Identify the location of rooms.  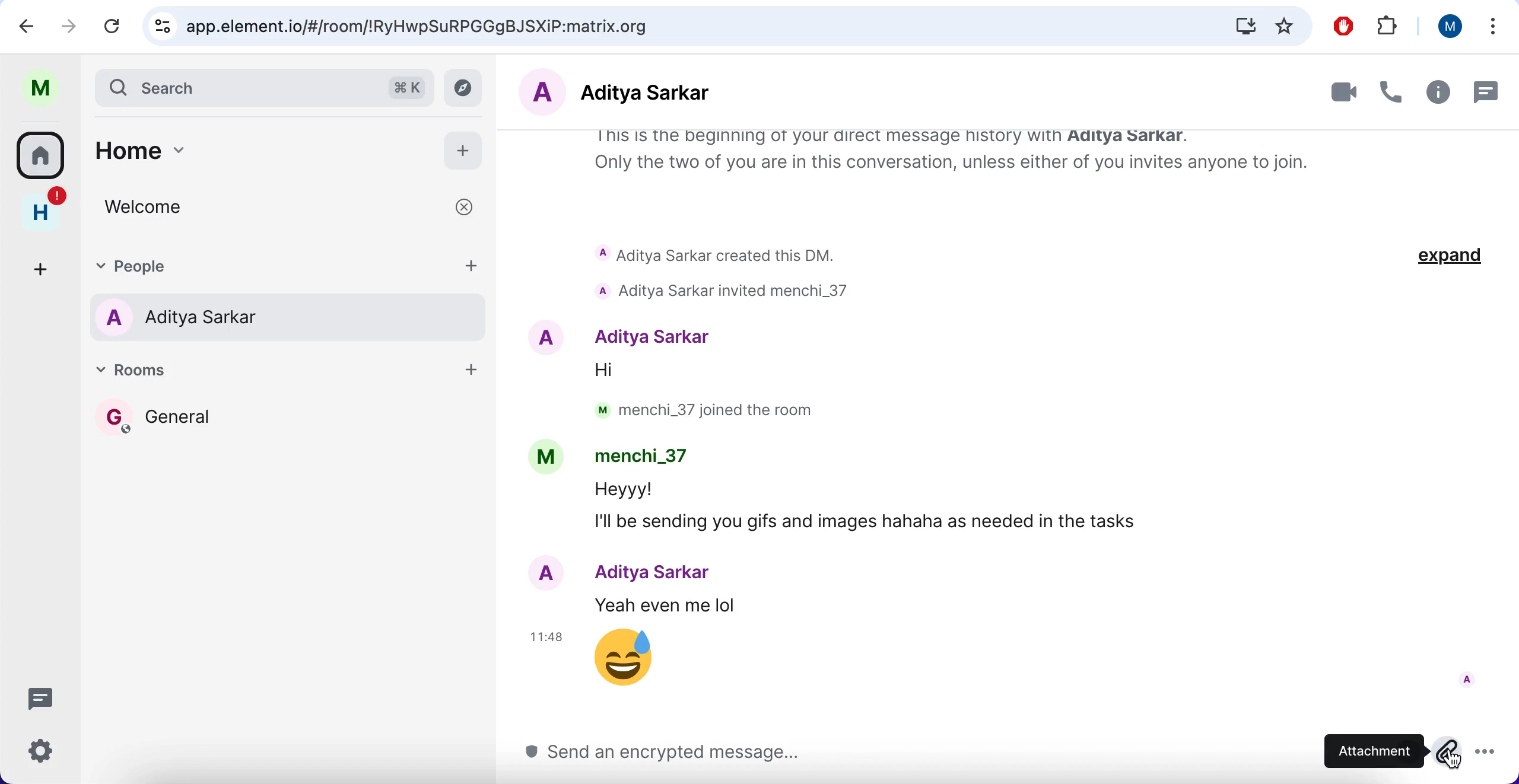
(255, 375).